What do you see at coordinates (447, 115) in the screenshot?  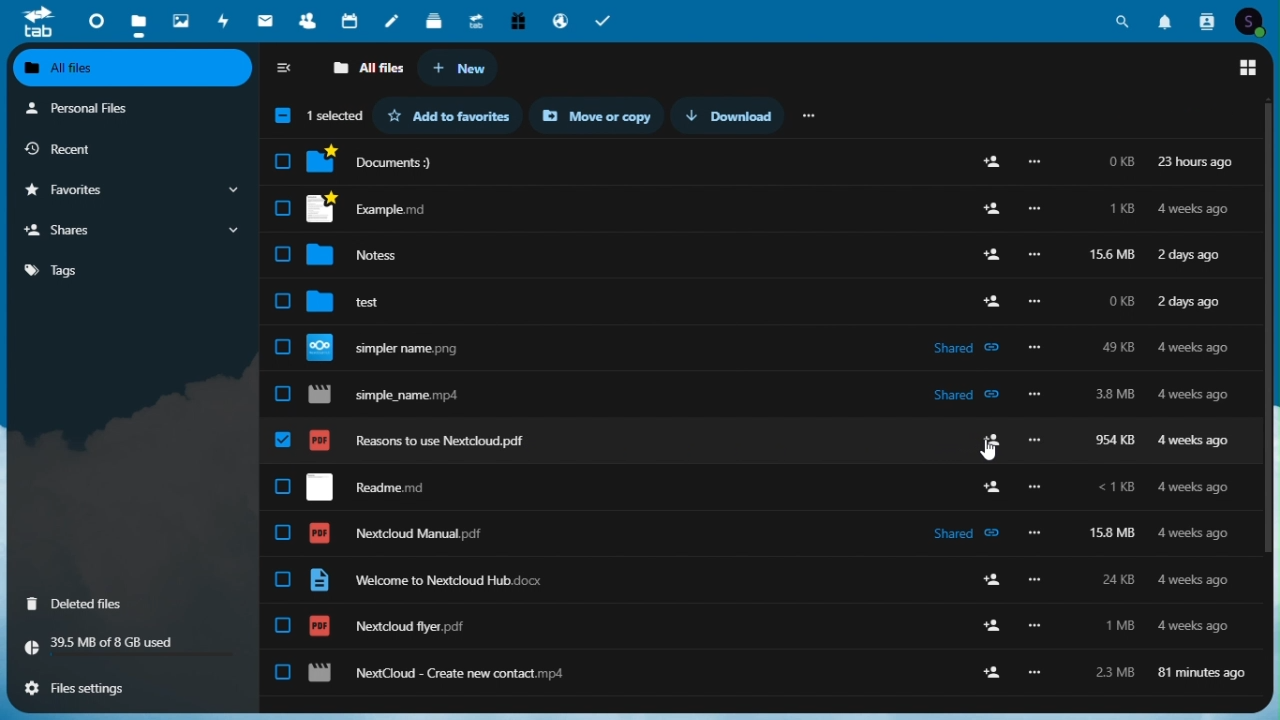 I see `favorites` at bounding box center [447, 115].